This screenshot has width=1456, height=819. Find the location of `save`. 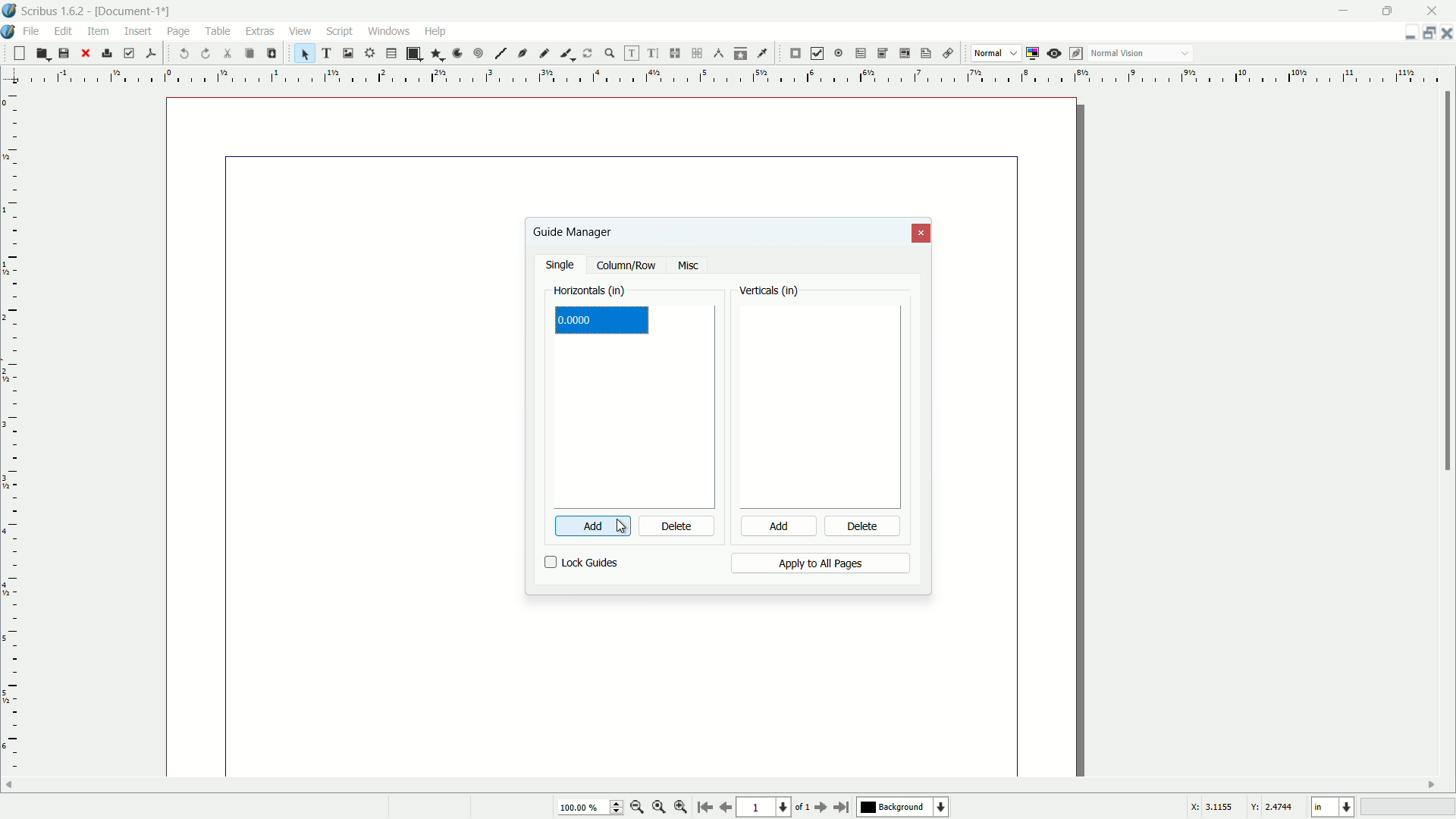

save is located at coordinates (64, 54).